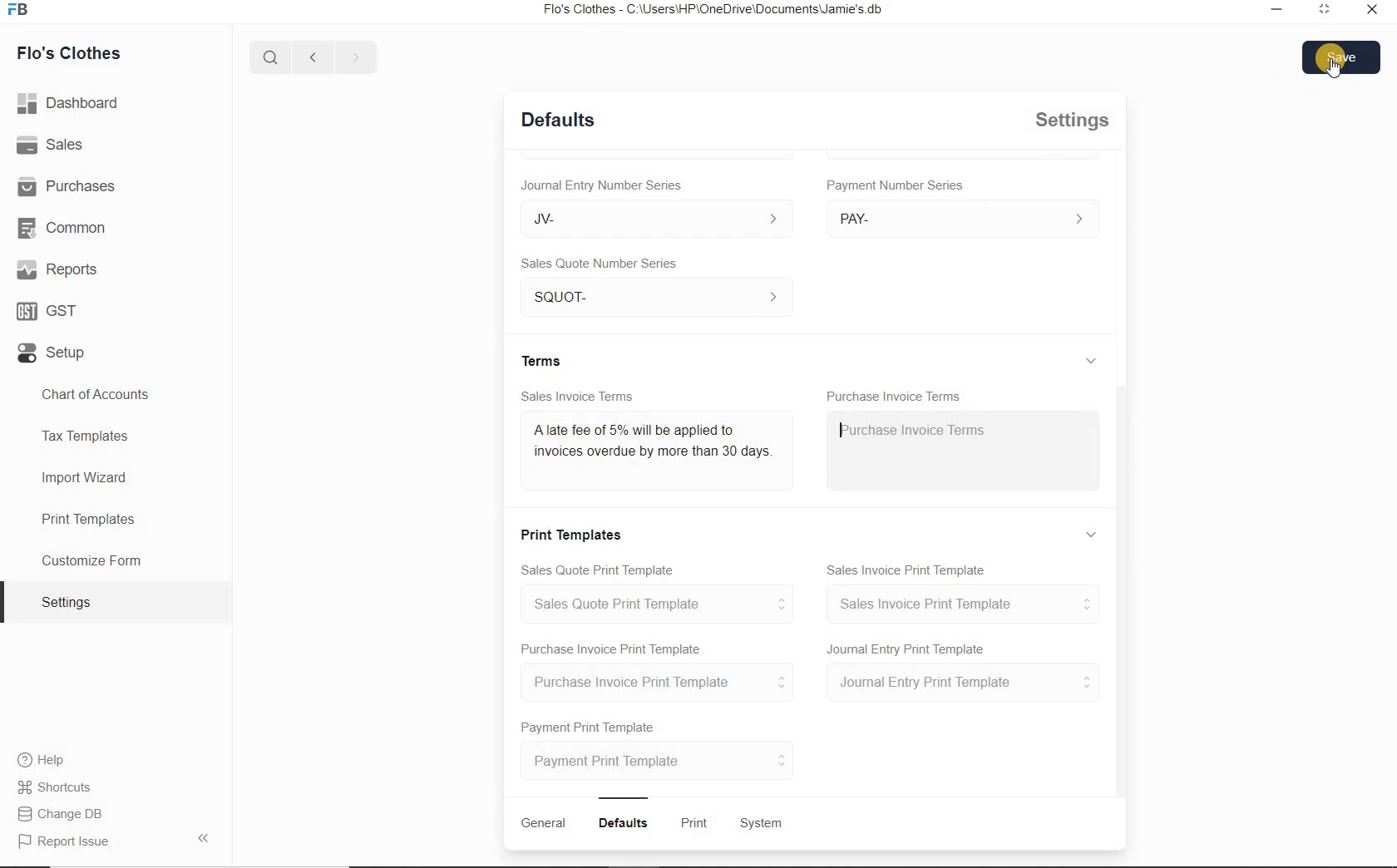 This screenshot has width=1397, height=868. What do you see at coordinates (91, 435) in the screenshot?
I see `Tax Templates` at bounding box center [91, 435].